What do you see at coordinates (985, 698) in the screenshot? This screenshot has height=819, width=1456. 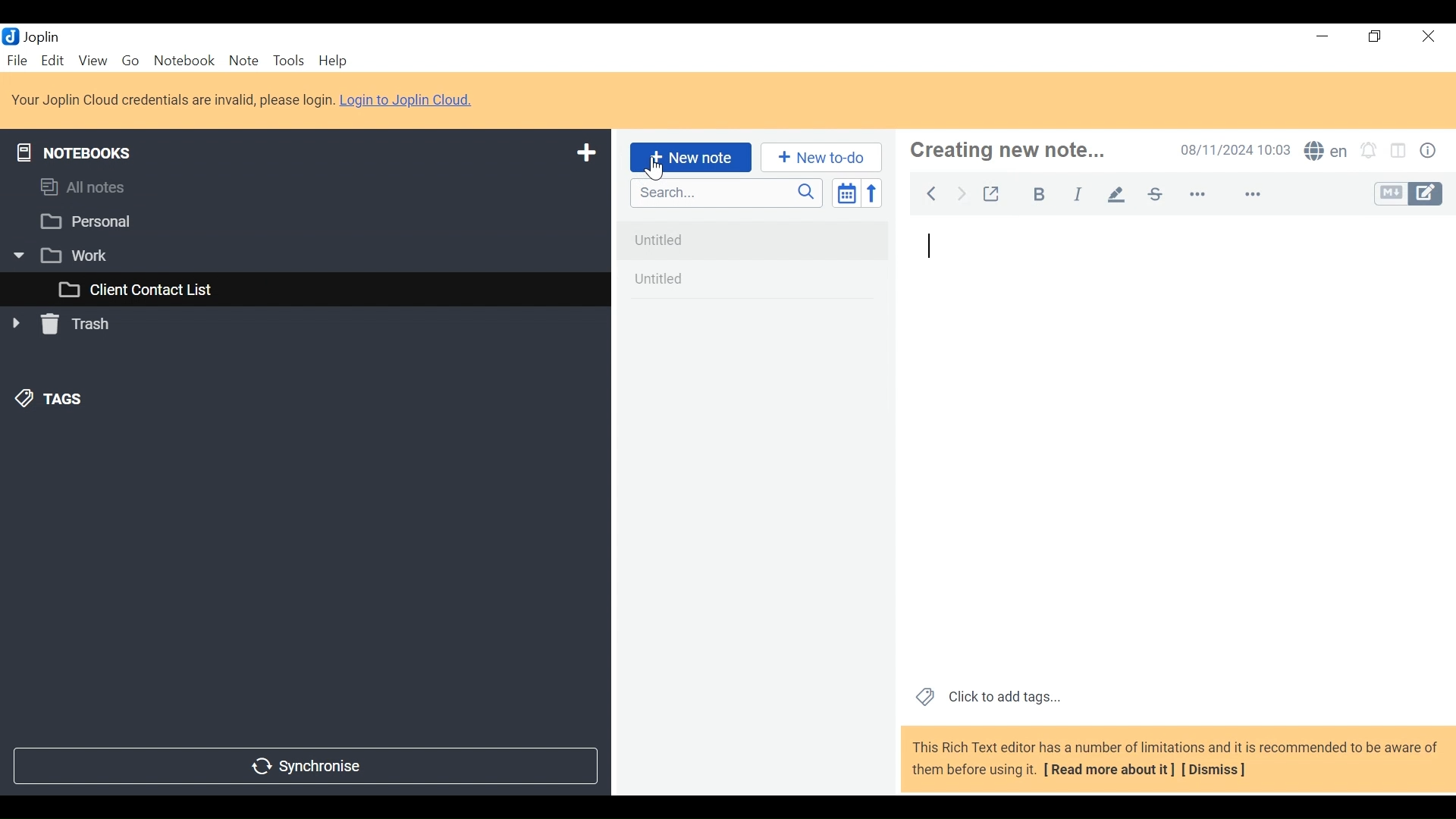 I see `Click to add tags` at bounding box center [985, 698].